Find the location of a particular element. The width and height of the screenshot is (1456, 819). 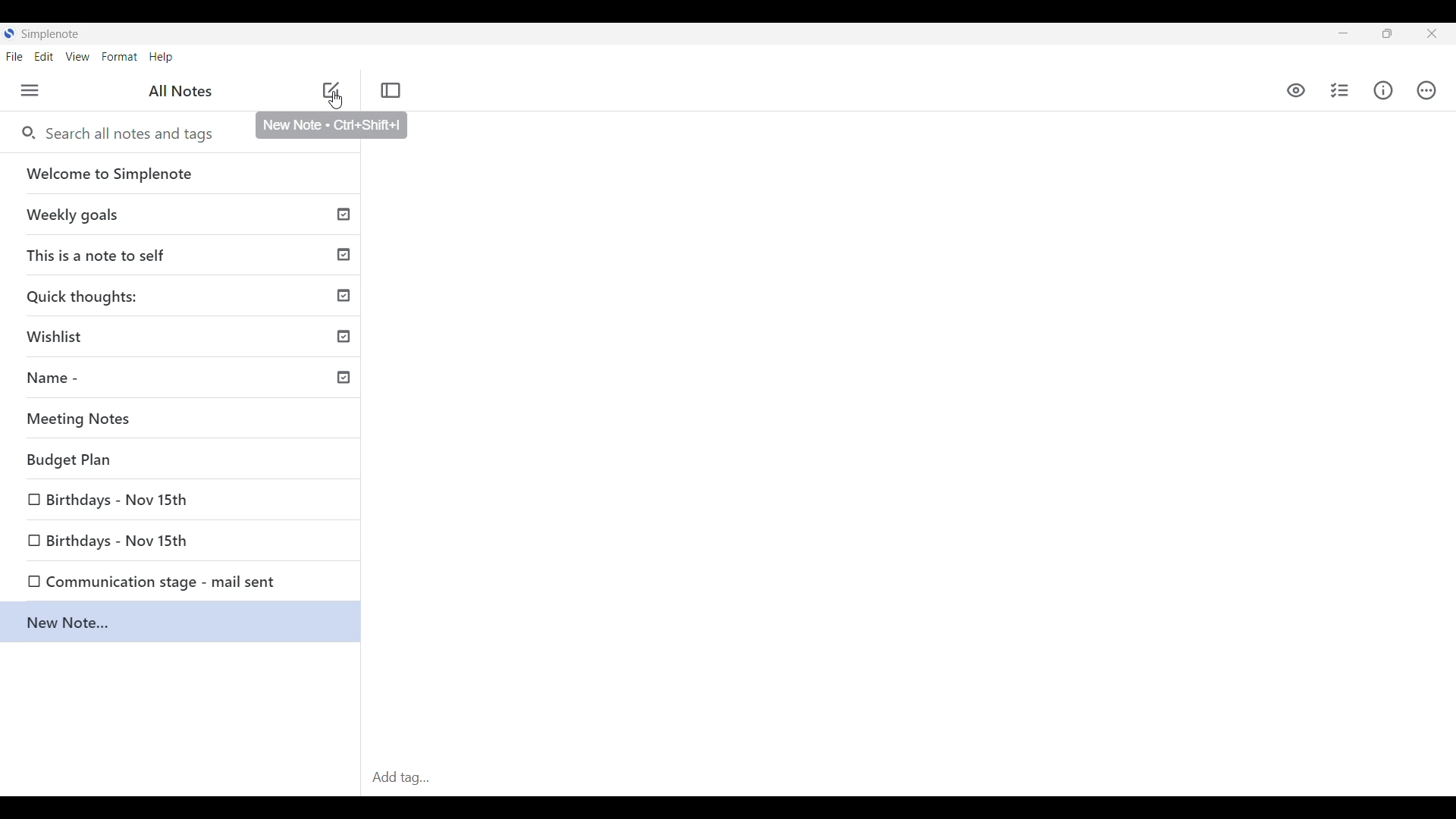

Communication stage - mail sent is located at coordinates (146, 579).